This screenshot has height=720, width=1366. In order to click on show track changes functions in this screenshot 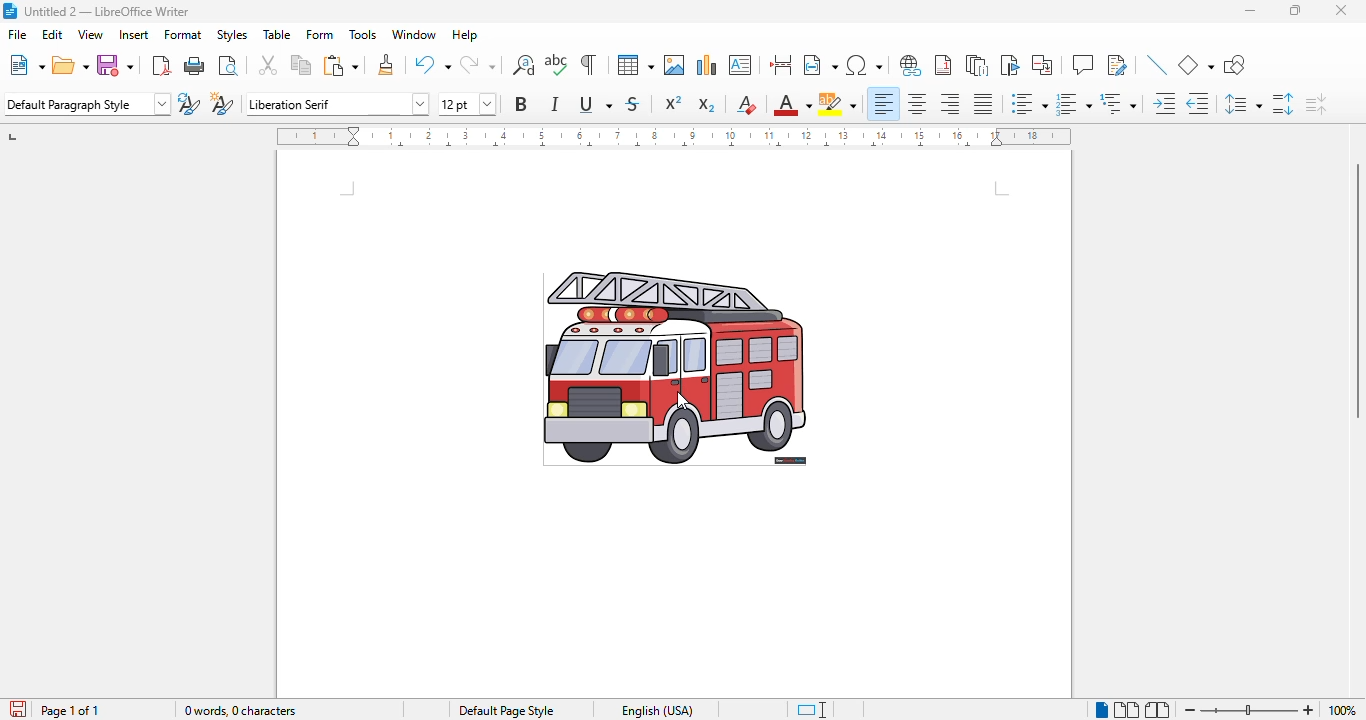, I will do `click(1118, 65)`.